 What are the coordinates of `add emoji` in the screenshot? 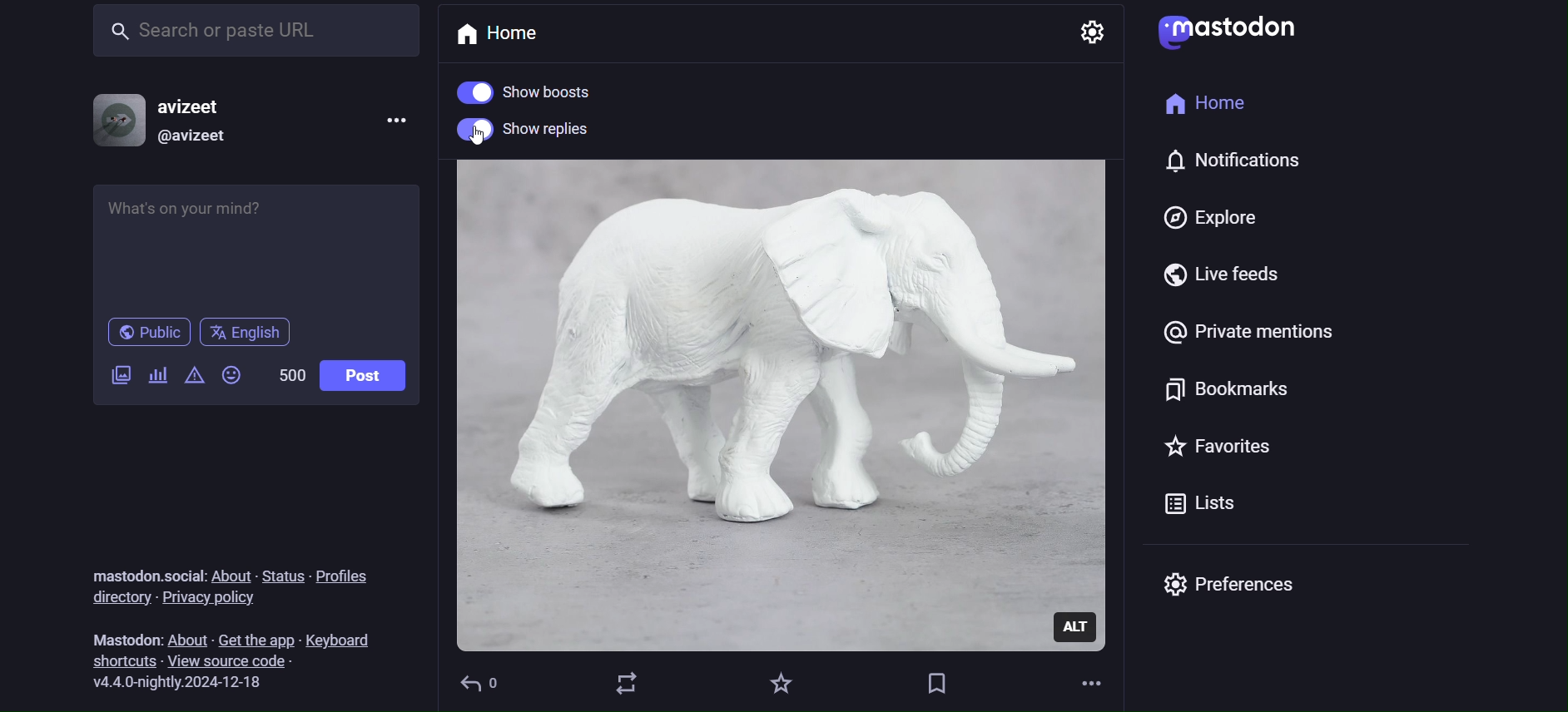 It's located at (232, 379).